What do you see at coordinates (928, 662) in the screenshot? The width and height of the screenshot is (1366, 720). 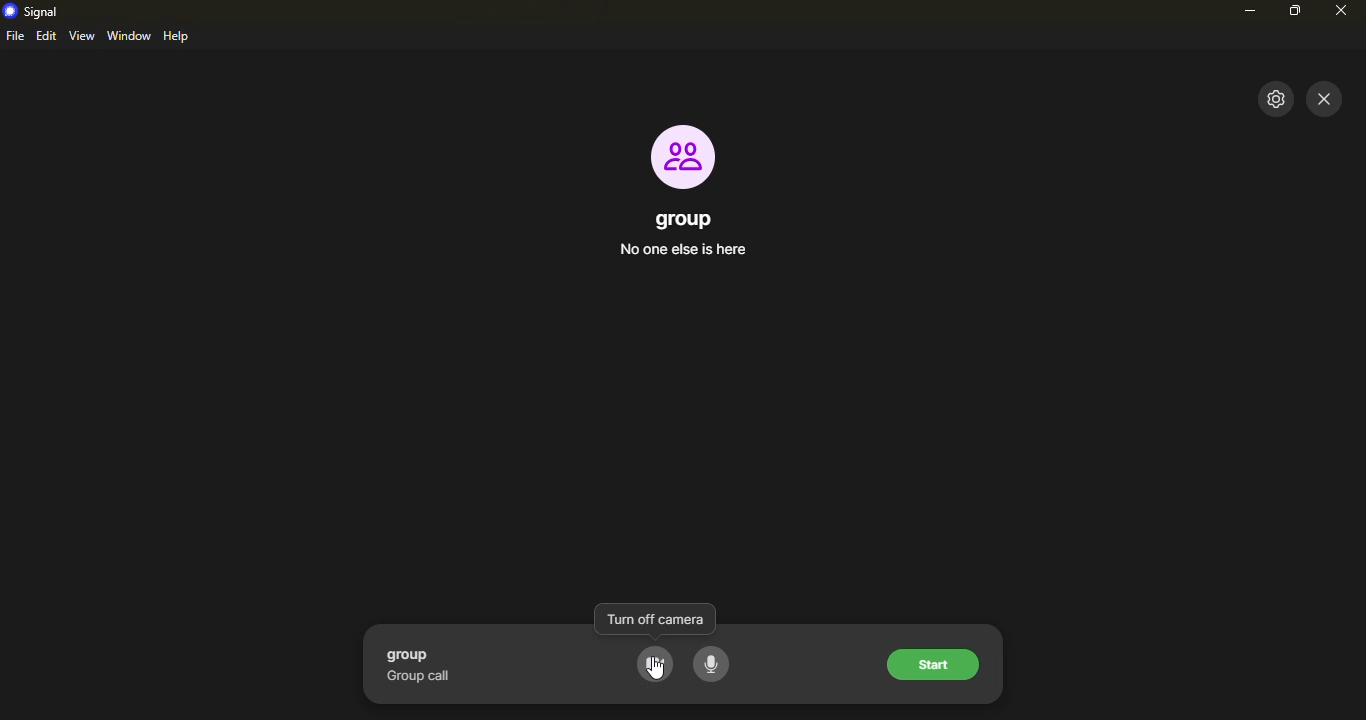 I see `start` at bounding box center [928, 662].